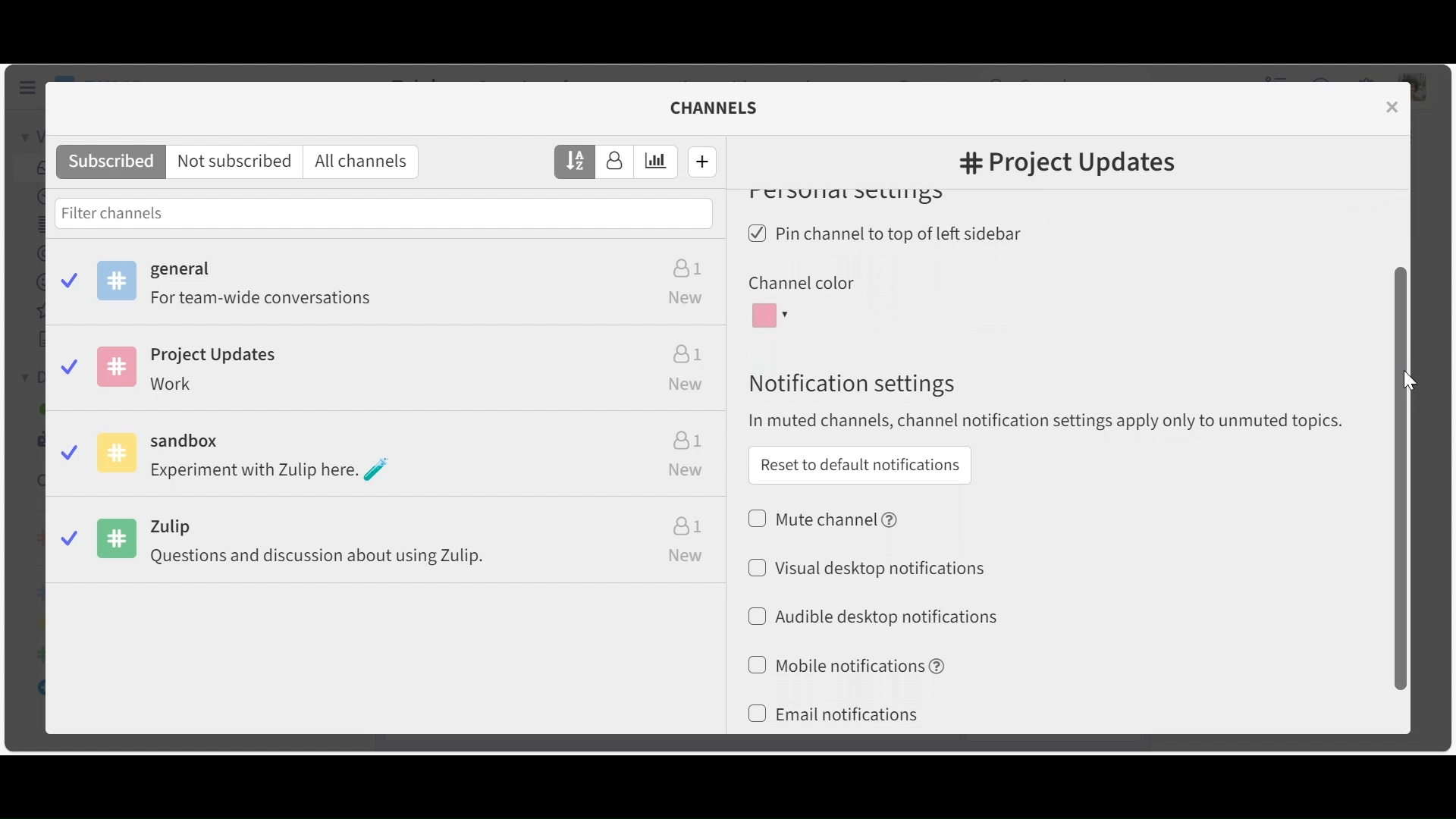 The width and height of the screenshot is (1456, 819). Describe the element at coordinates (389, 287) in the screenshot. I see `Subscribed channels` at that location.